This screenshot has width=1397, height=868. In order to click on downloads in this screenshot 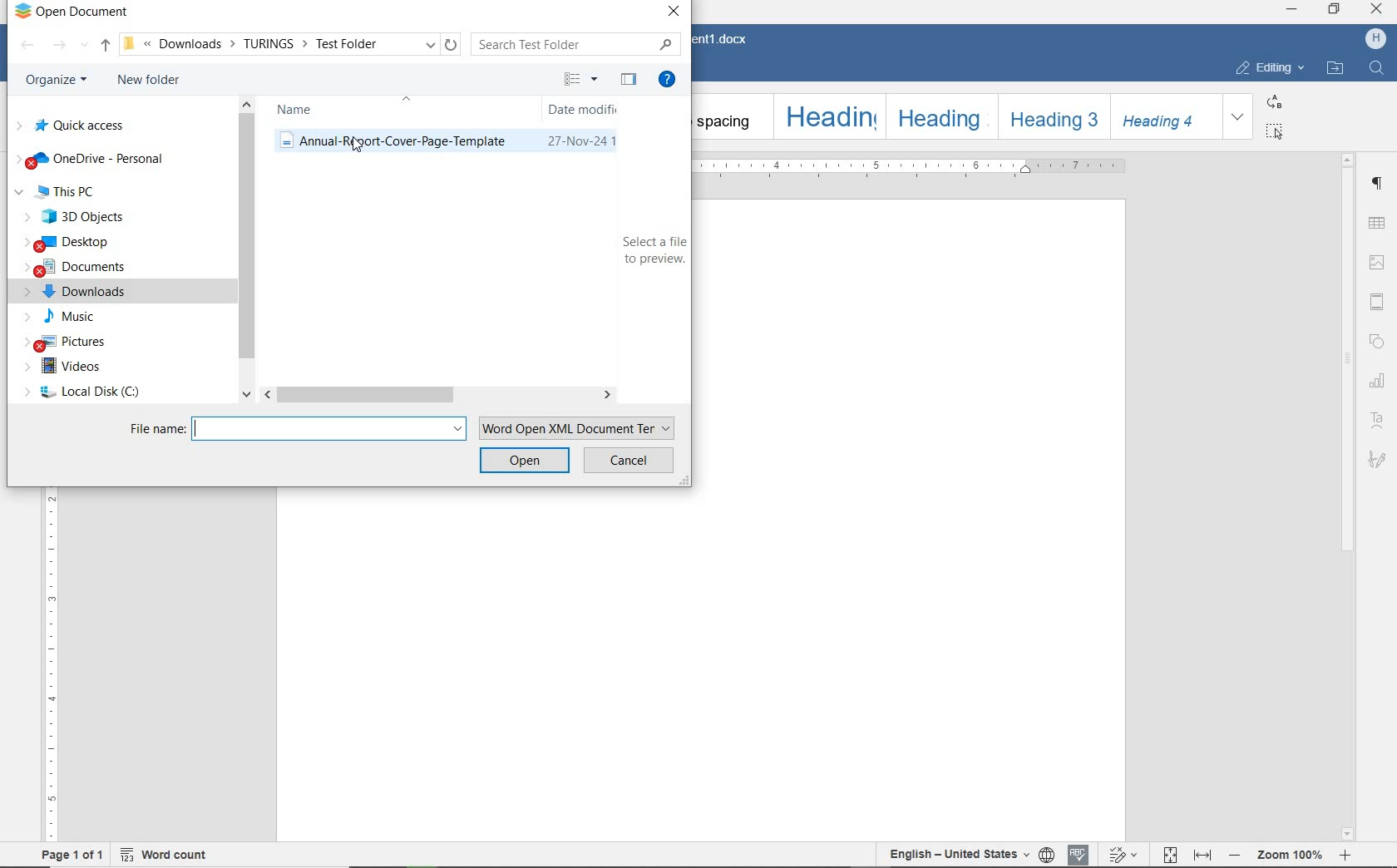, I will do `click(86, 293)`.